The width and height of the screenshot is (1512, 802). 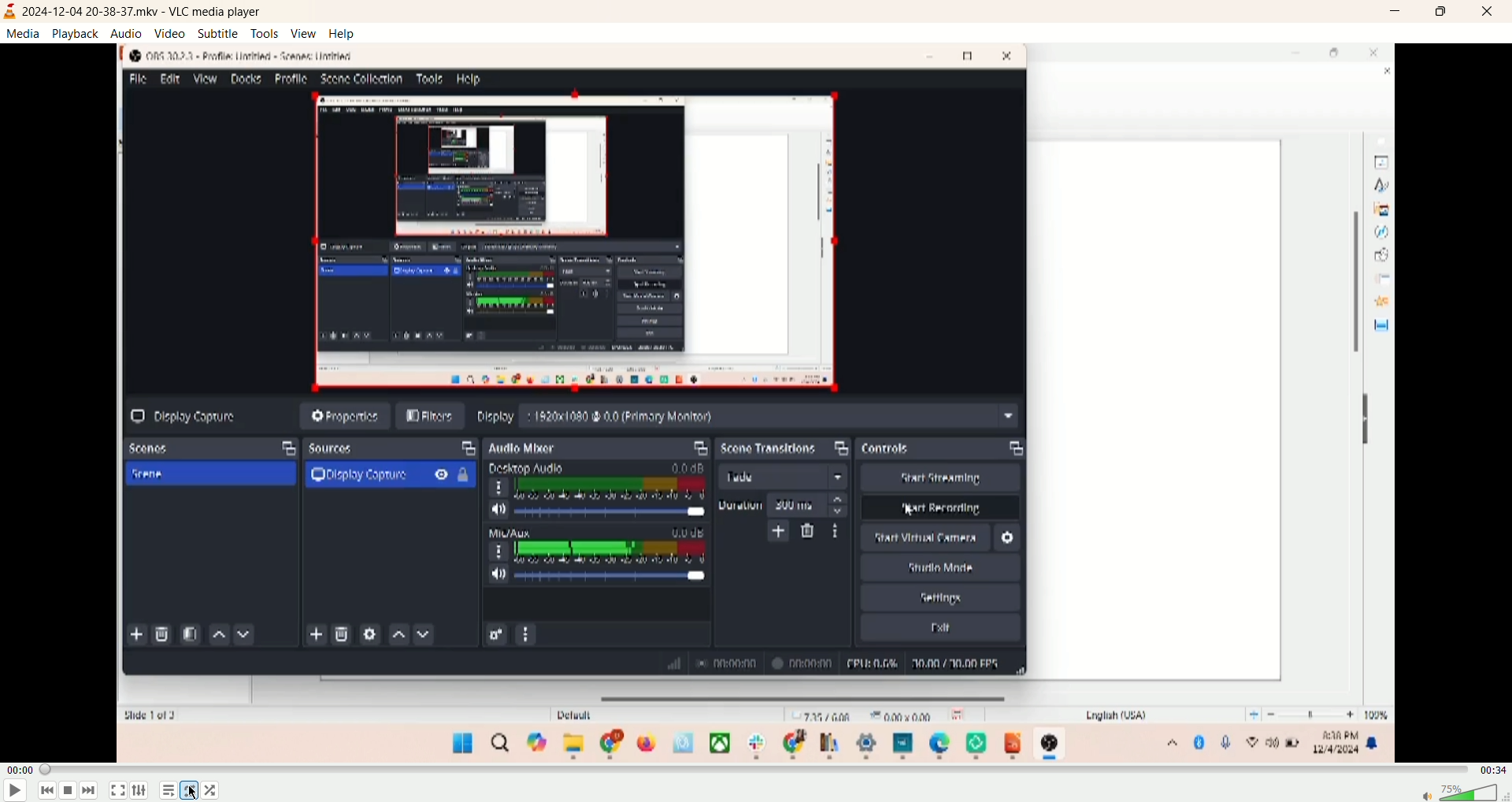 What do you see at coordinates (197, 793) in the screenshot?
I see `cursor` at bounding box center [197, 793].